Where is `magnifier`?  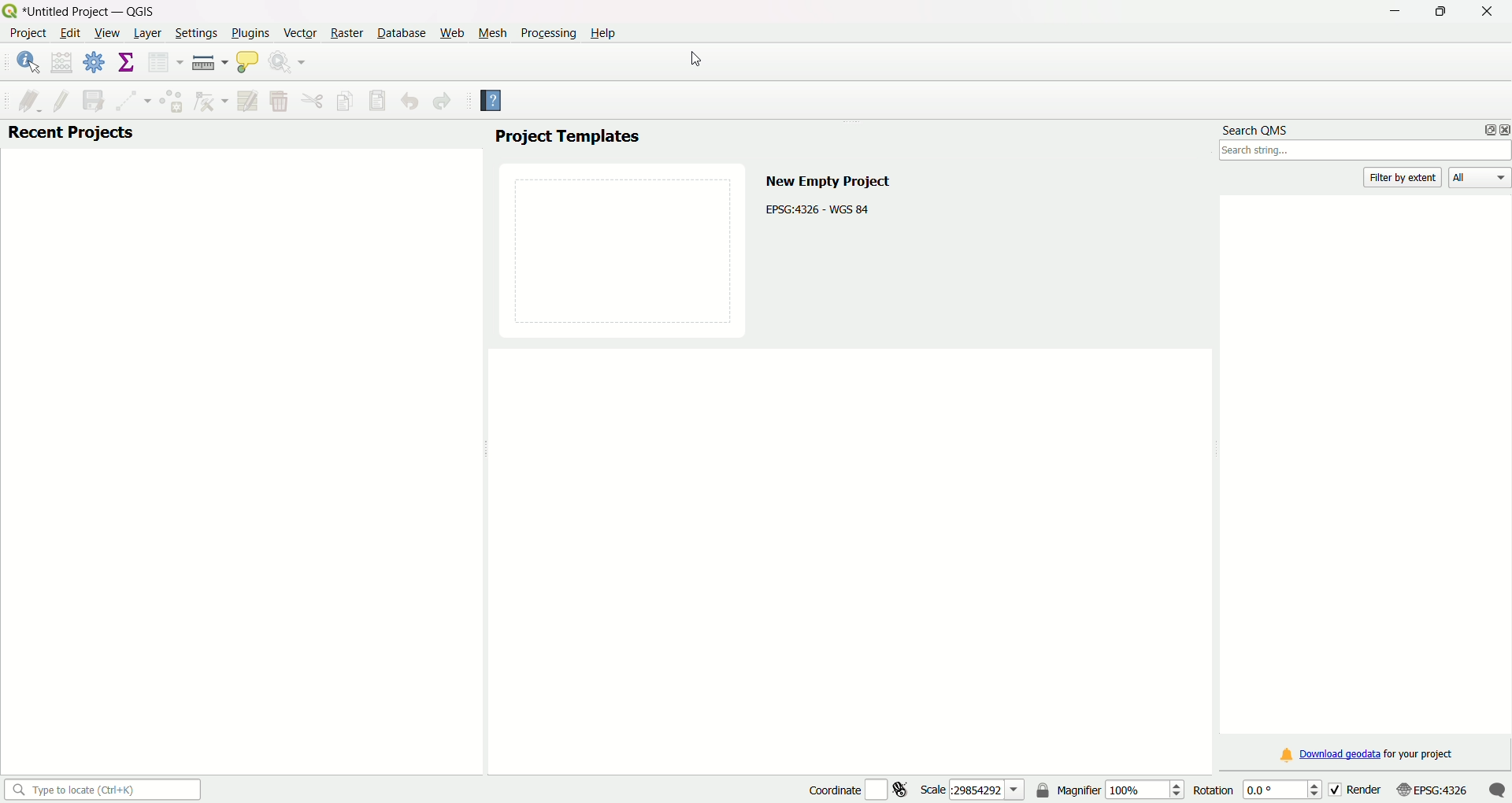 magnifier is located at coordinates (1121, 789).